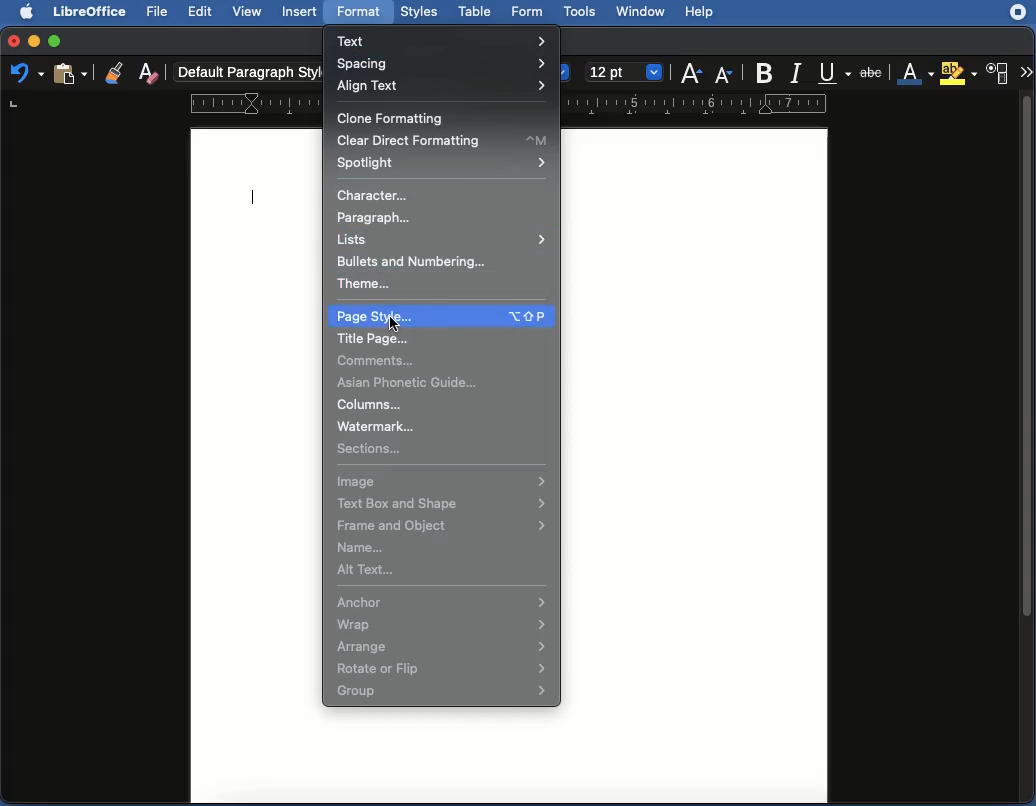 The height and width of the screenshot is (806, 1036). What do you see at coordinates (381, 218) in the screenshot?
I see `Paragraph` at bounding box center [381, 218].